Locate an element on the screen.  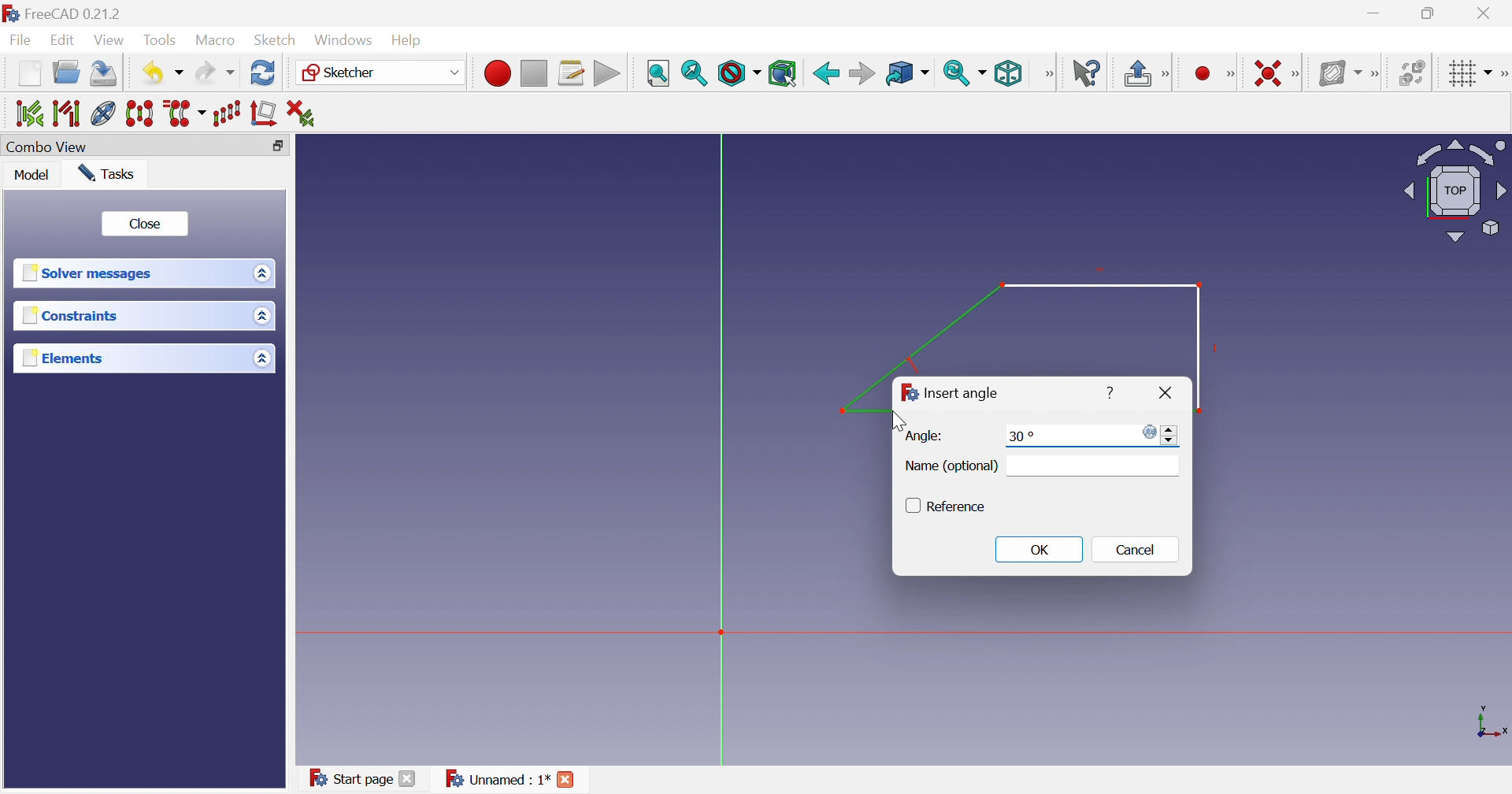
Undo is located at coordinates (150, 72).